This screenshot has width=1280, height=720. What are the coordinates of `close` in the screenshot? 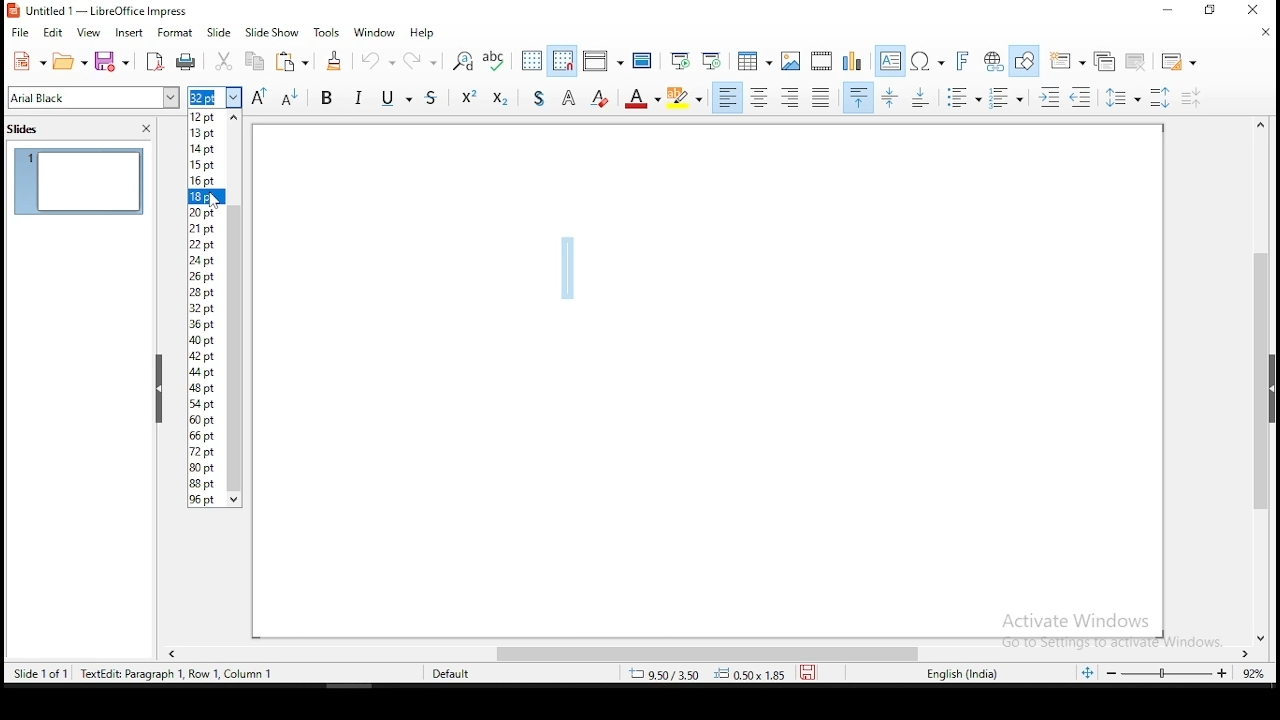 It's located at (146, 129).